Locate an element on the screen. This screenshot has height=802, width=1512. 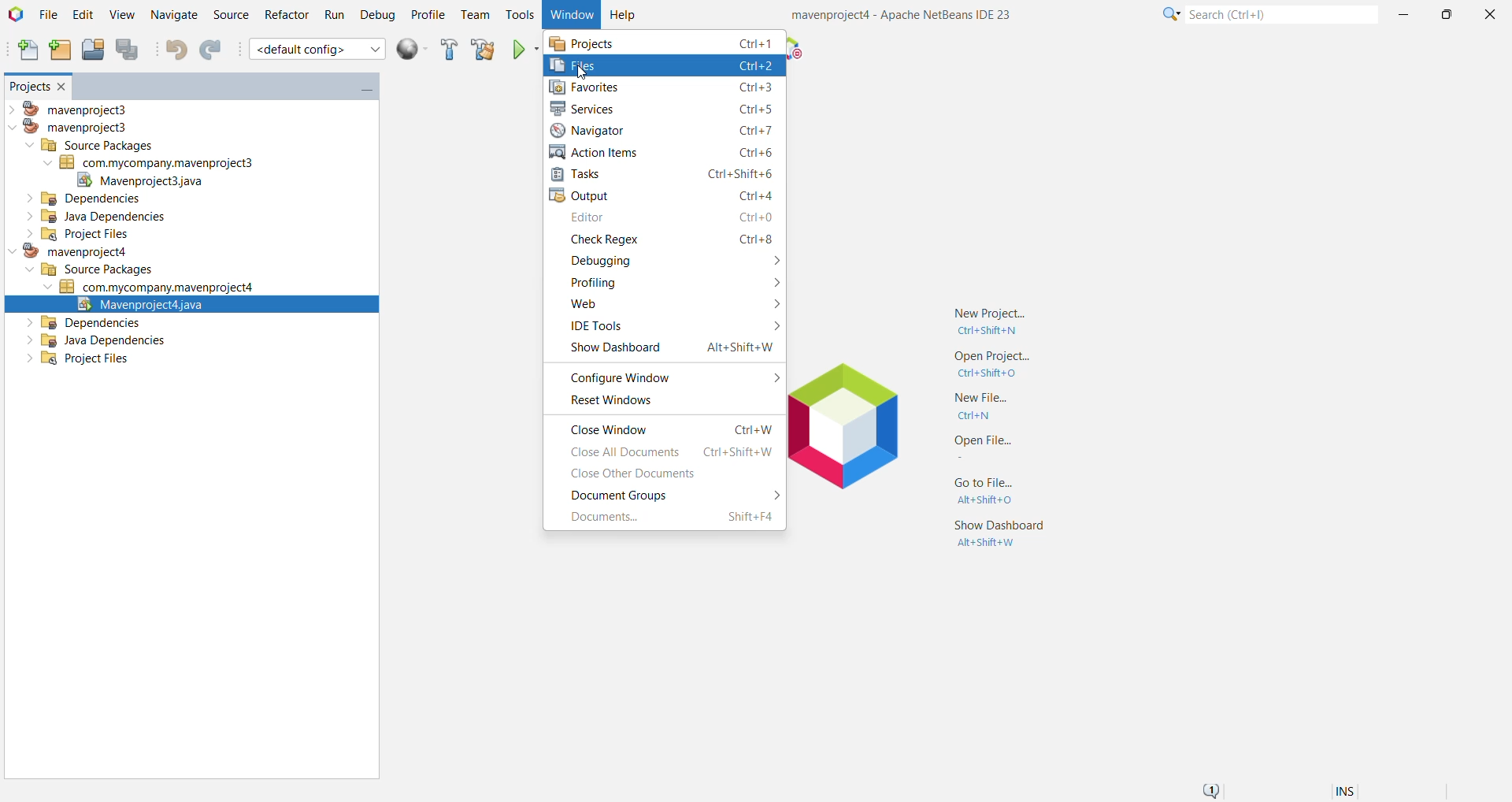
Application Logo is located at coordinates (858, 436).